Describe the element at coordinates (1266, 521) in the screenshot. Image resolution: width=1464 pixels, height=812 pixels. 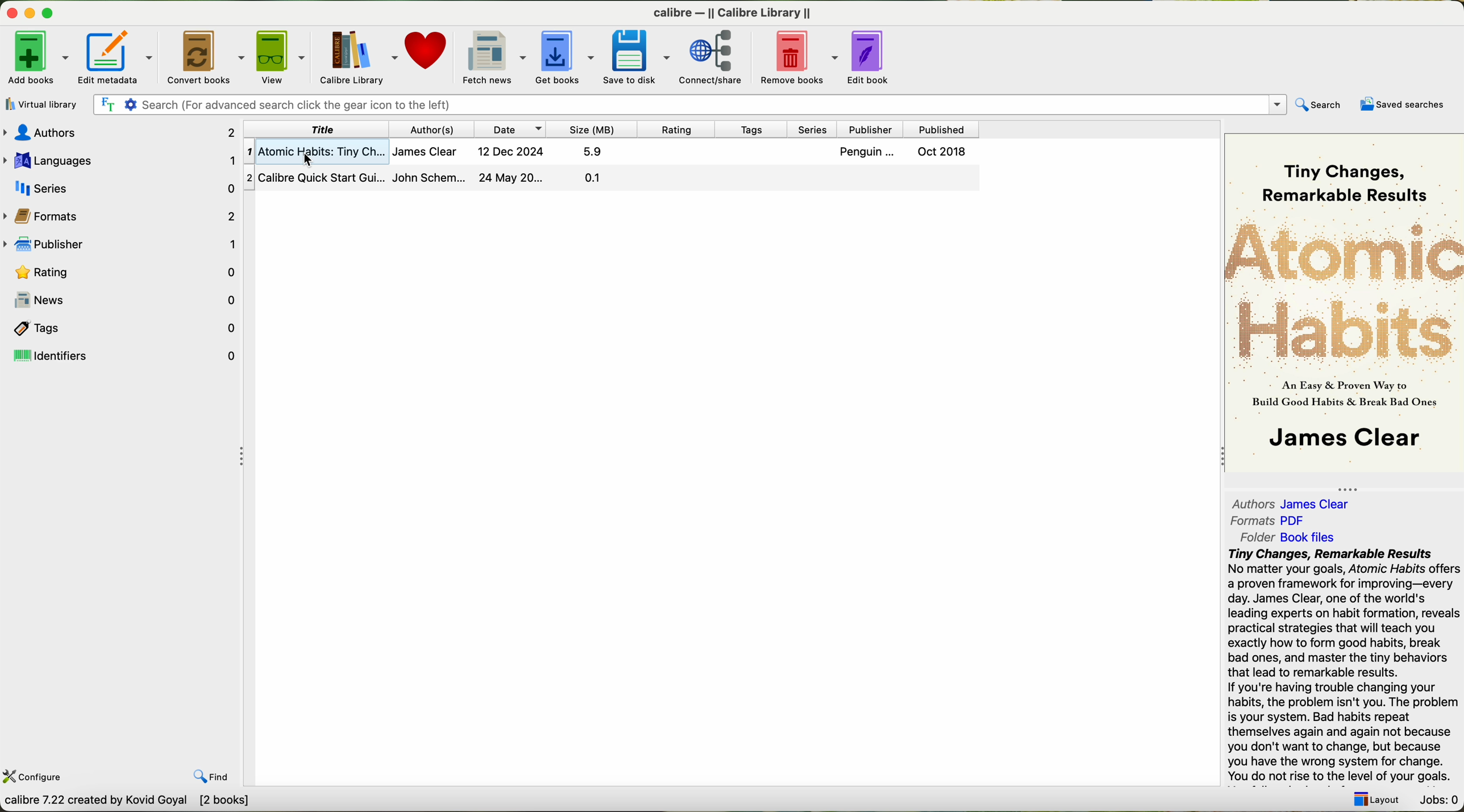
I see `formats` at that location.